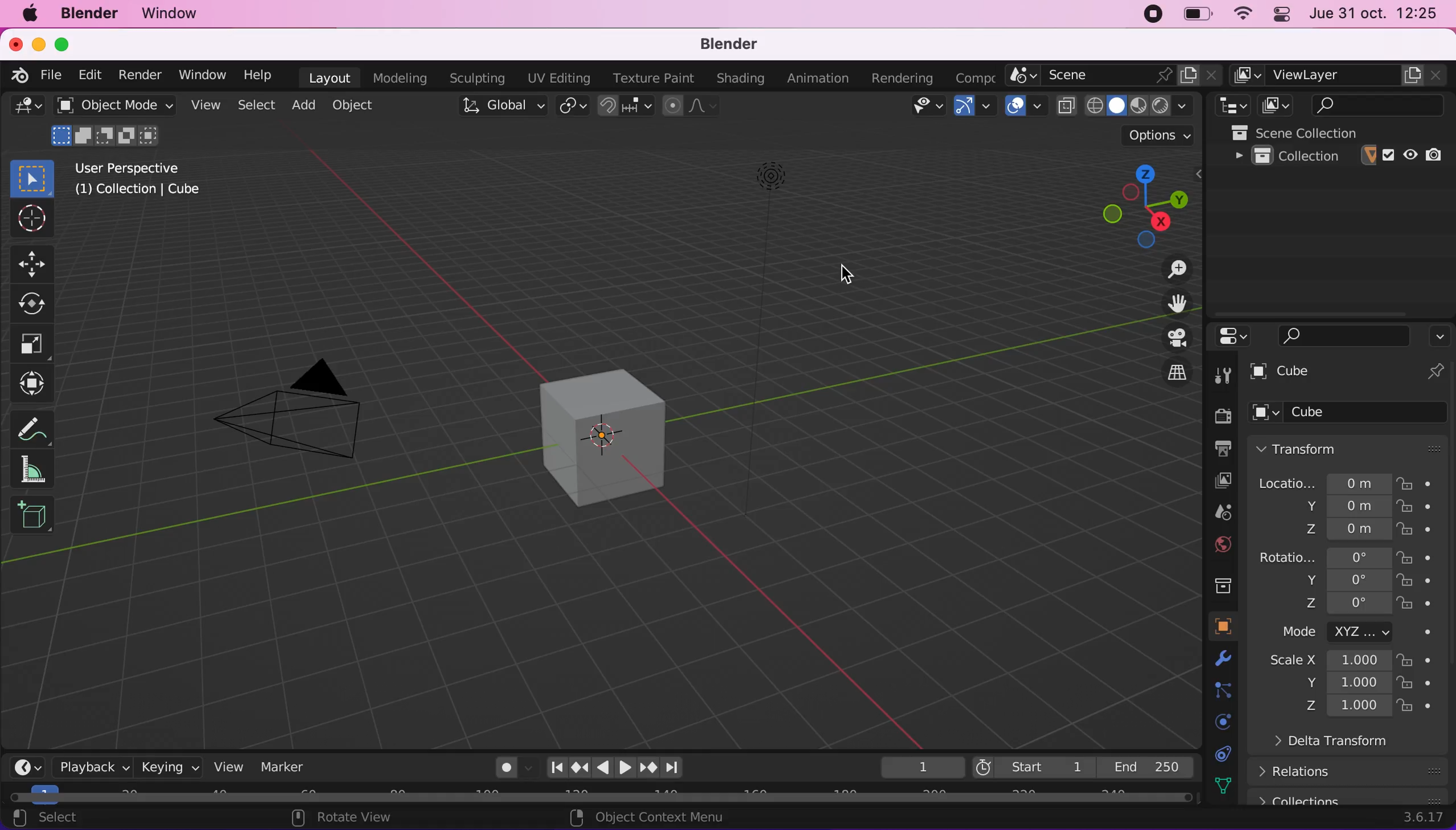  Describe the element at coordinates (915, 766) in the screenshot. I see `1` at that location.